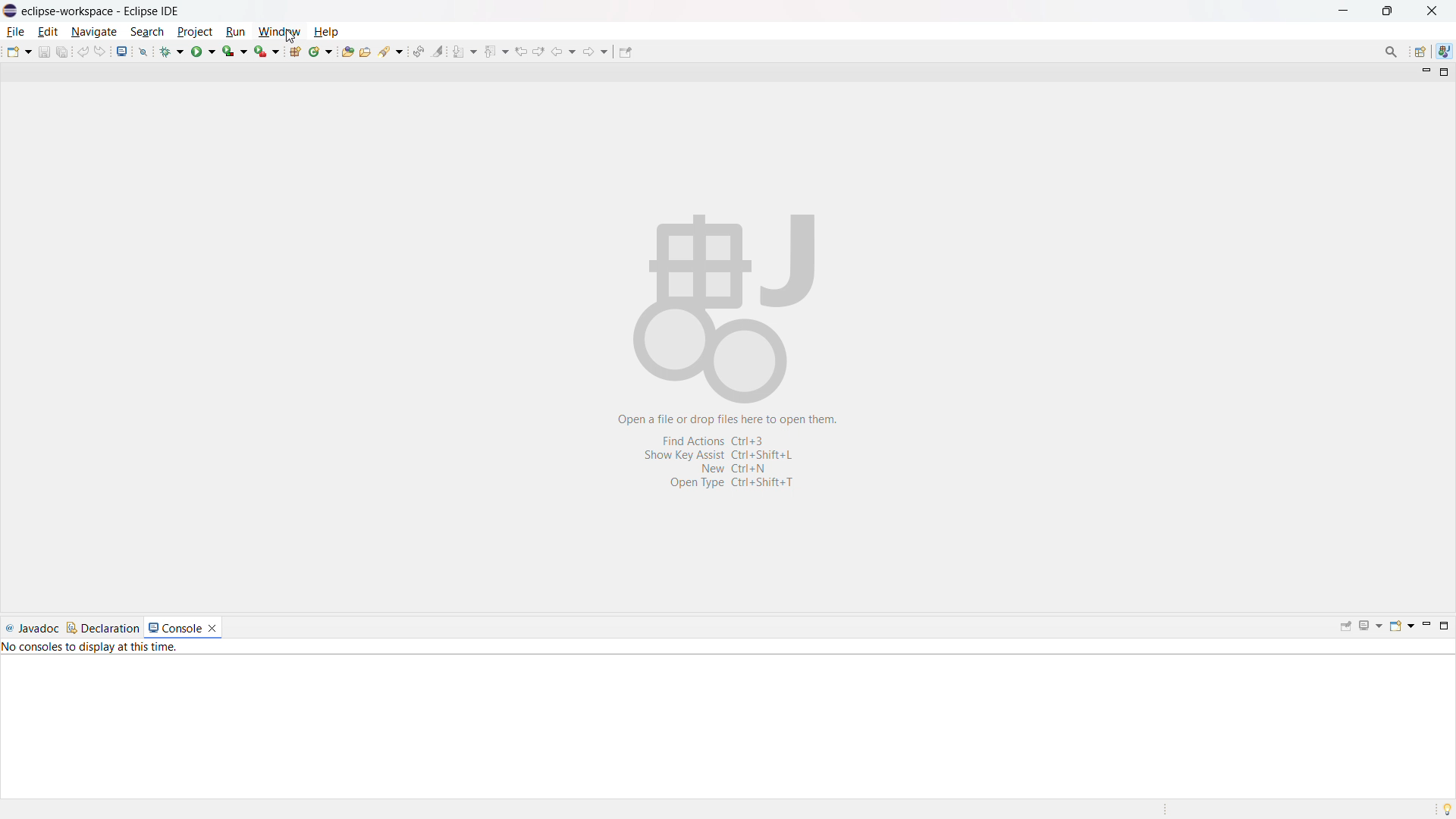 The height and width of the screenshot is (819, 1456). I want to click on java, so click(1445, 50).